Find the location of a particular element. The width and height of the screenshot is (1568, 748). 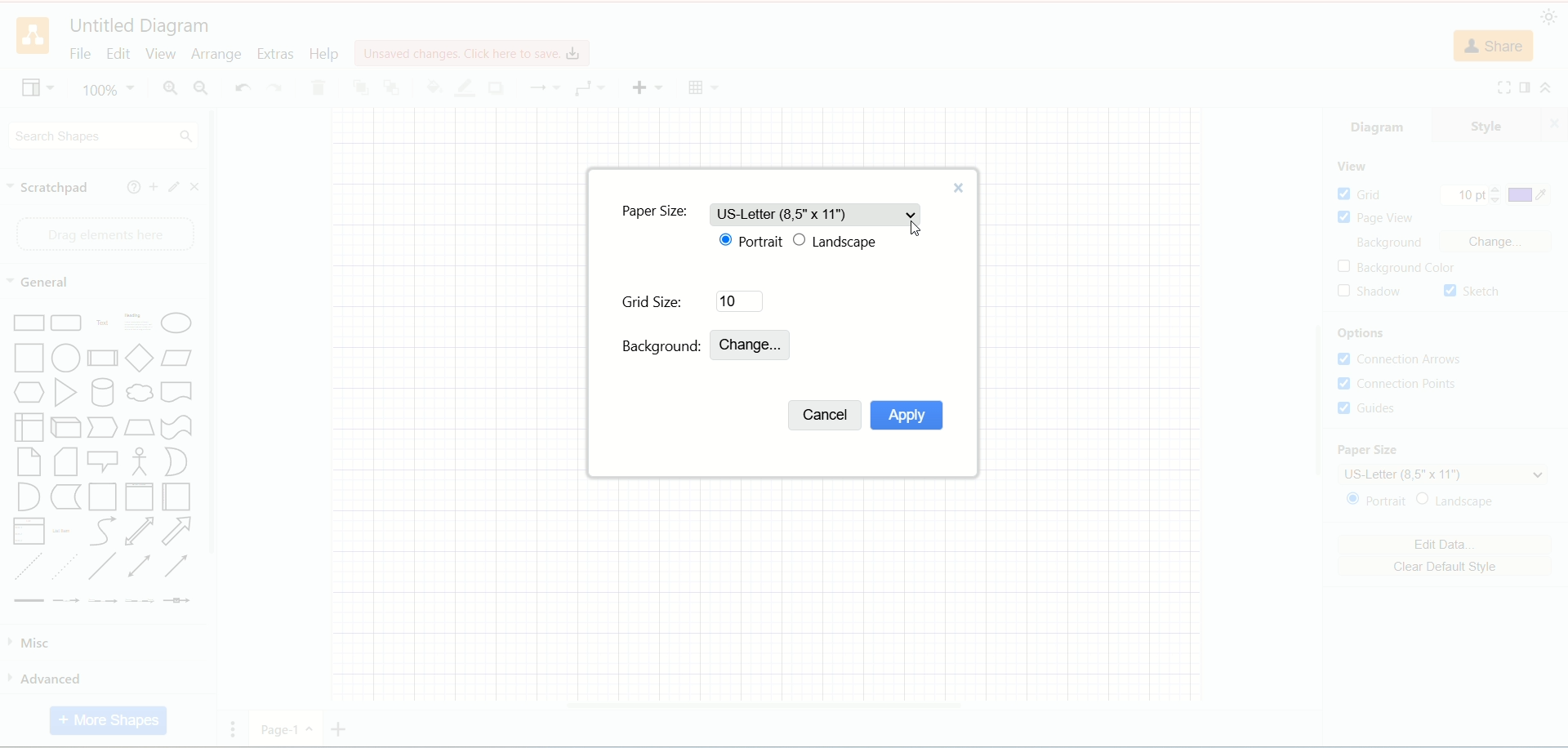

scratch pad is located at coordinates (49, 189).